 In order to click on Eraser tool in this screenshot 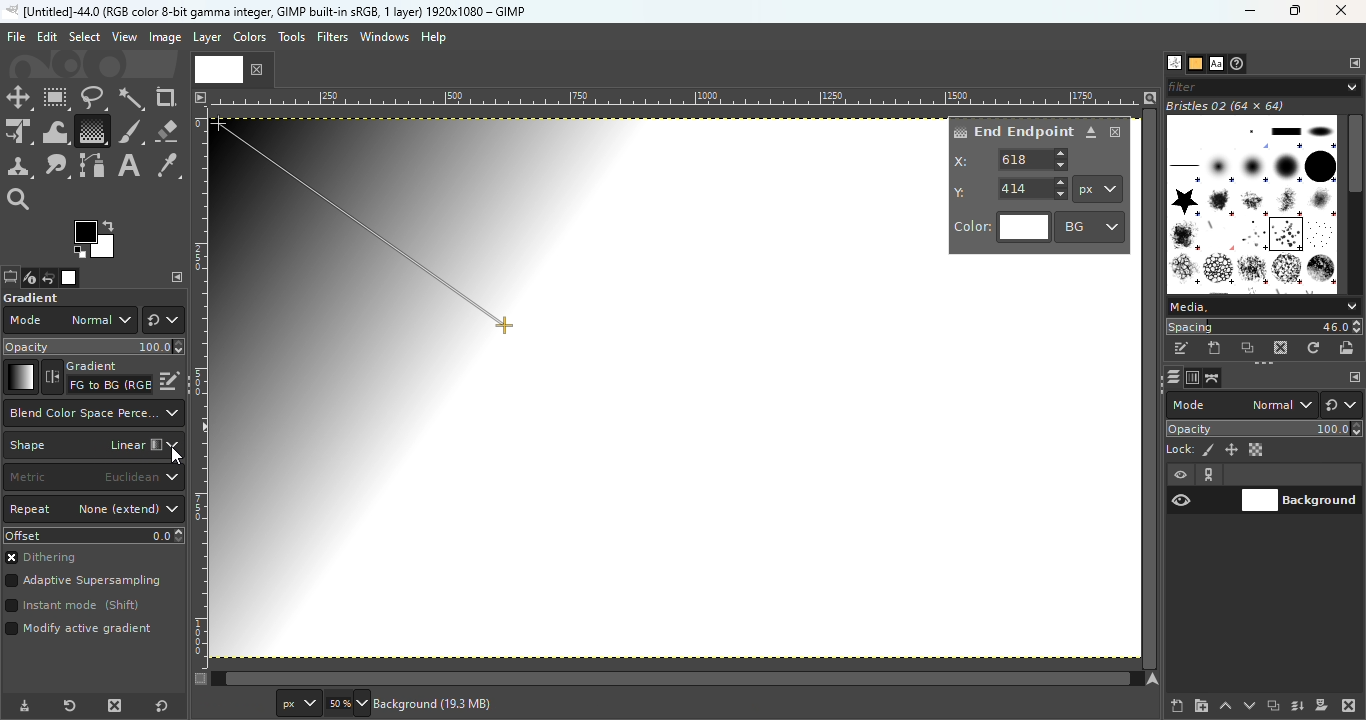, I will do `click(166, 127)`.